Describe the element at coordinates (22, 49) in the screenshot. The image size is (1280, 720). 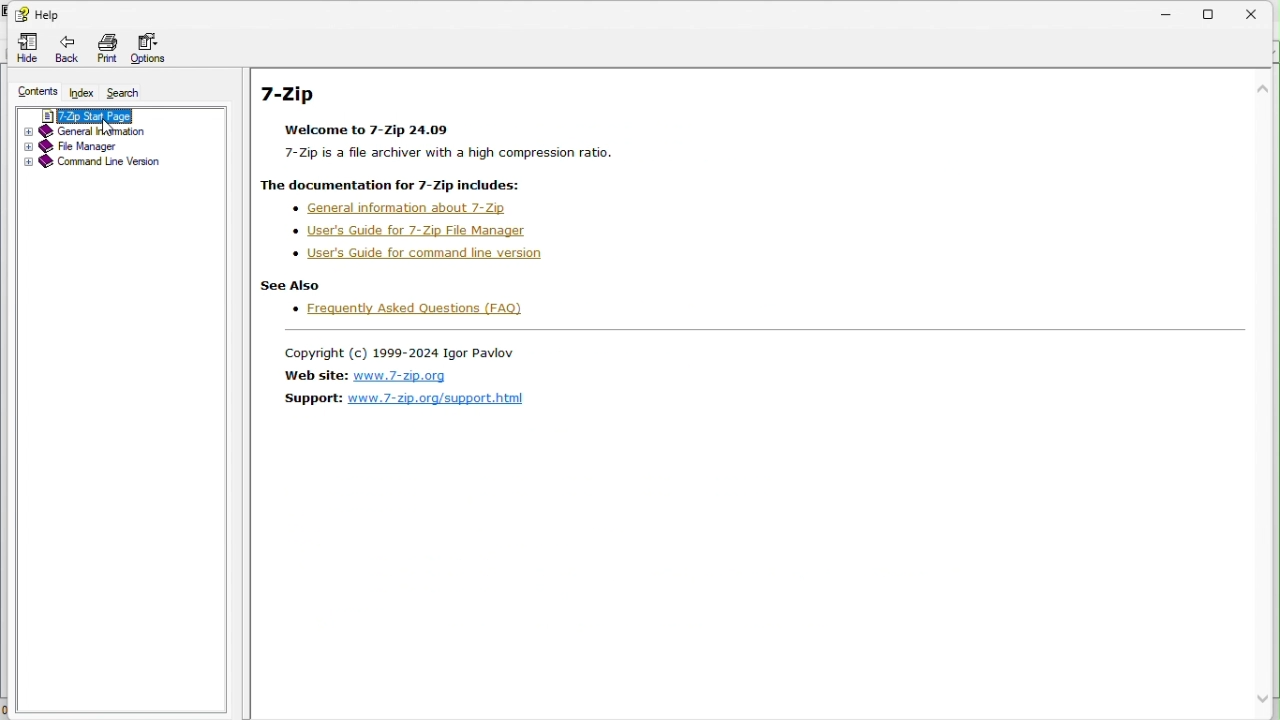
I see `hide` at that location.